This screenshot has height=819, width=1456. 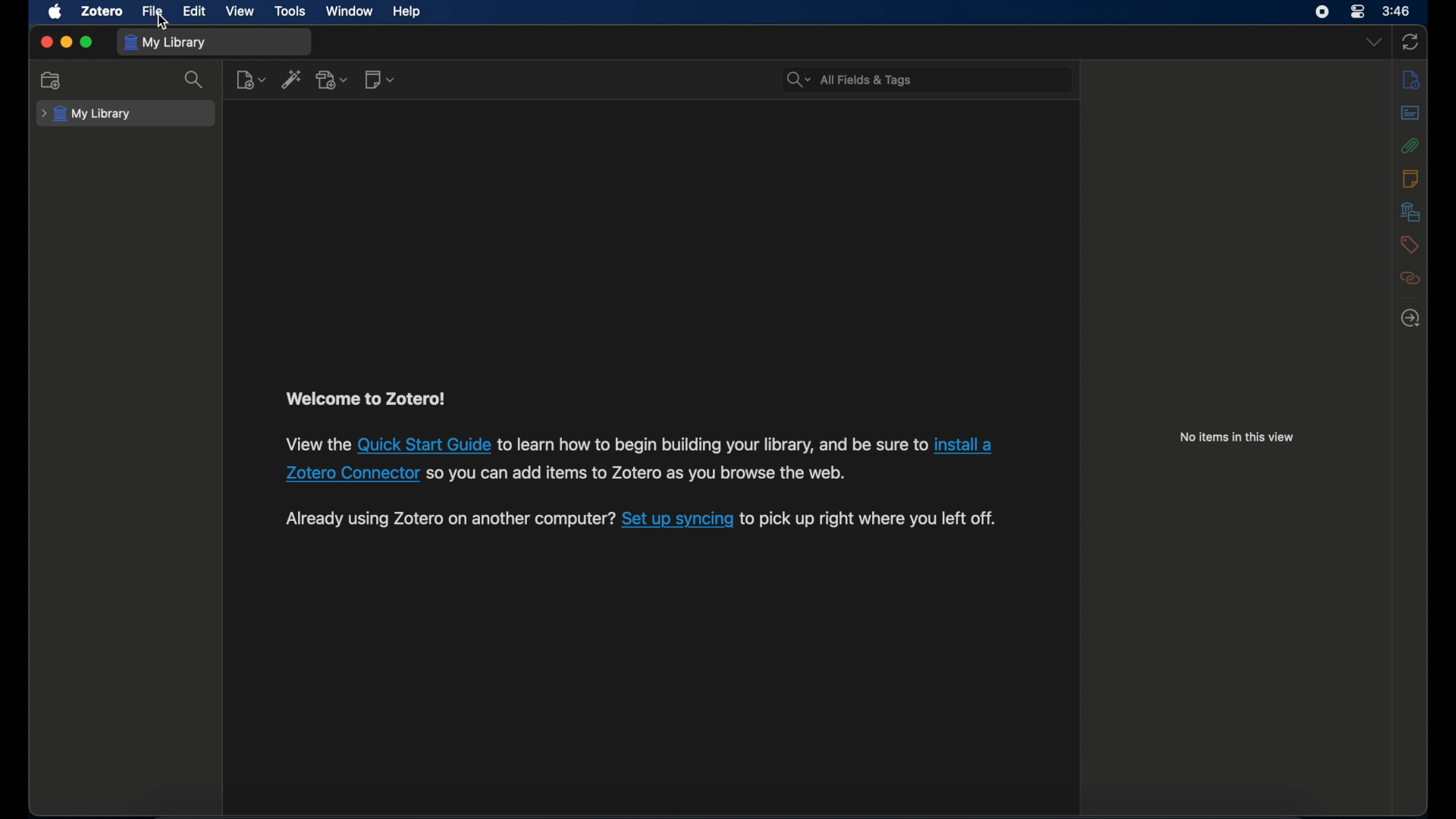 I want to click on close, so click(x=45, y=42).